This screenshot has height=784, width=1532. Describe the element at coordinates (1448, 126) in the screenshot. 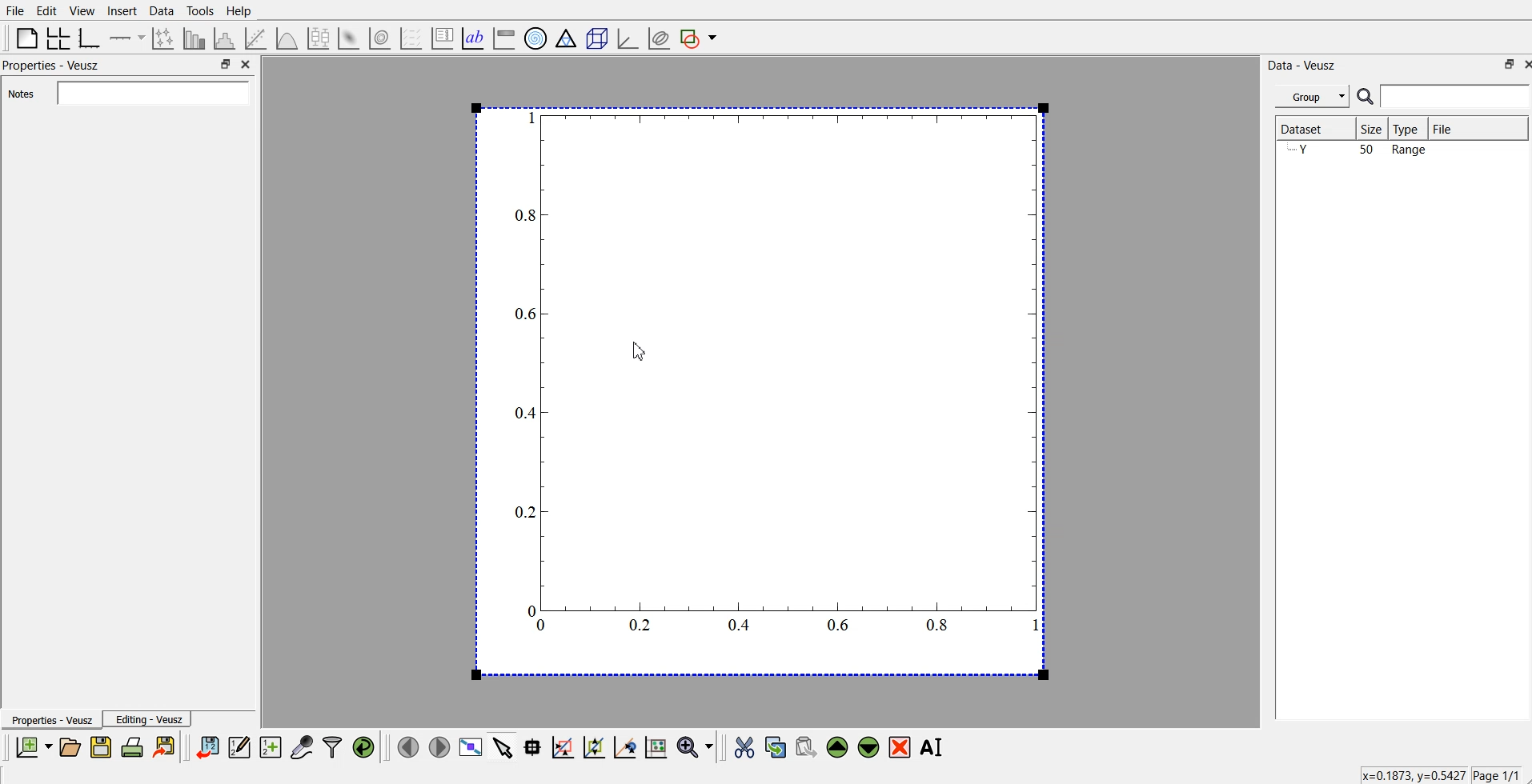

I see `File` at that location.